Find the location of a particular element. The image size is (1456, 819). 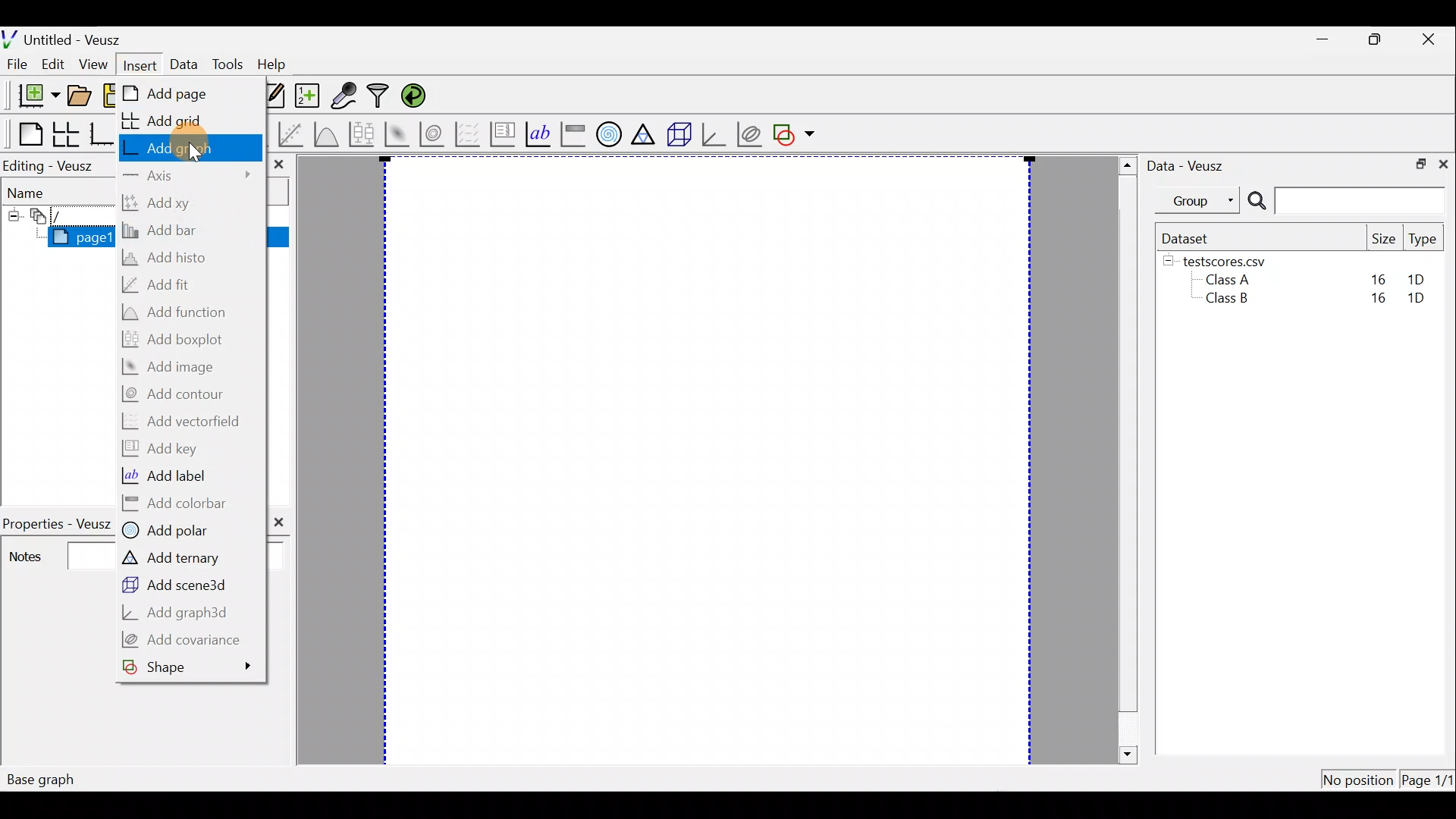

Name is located at coordinates (45, 193).